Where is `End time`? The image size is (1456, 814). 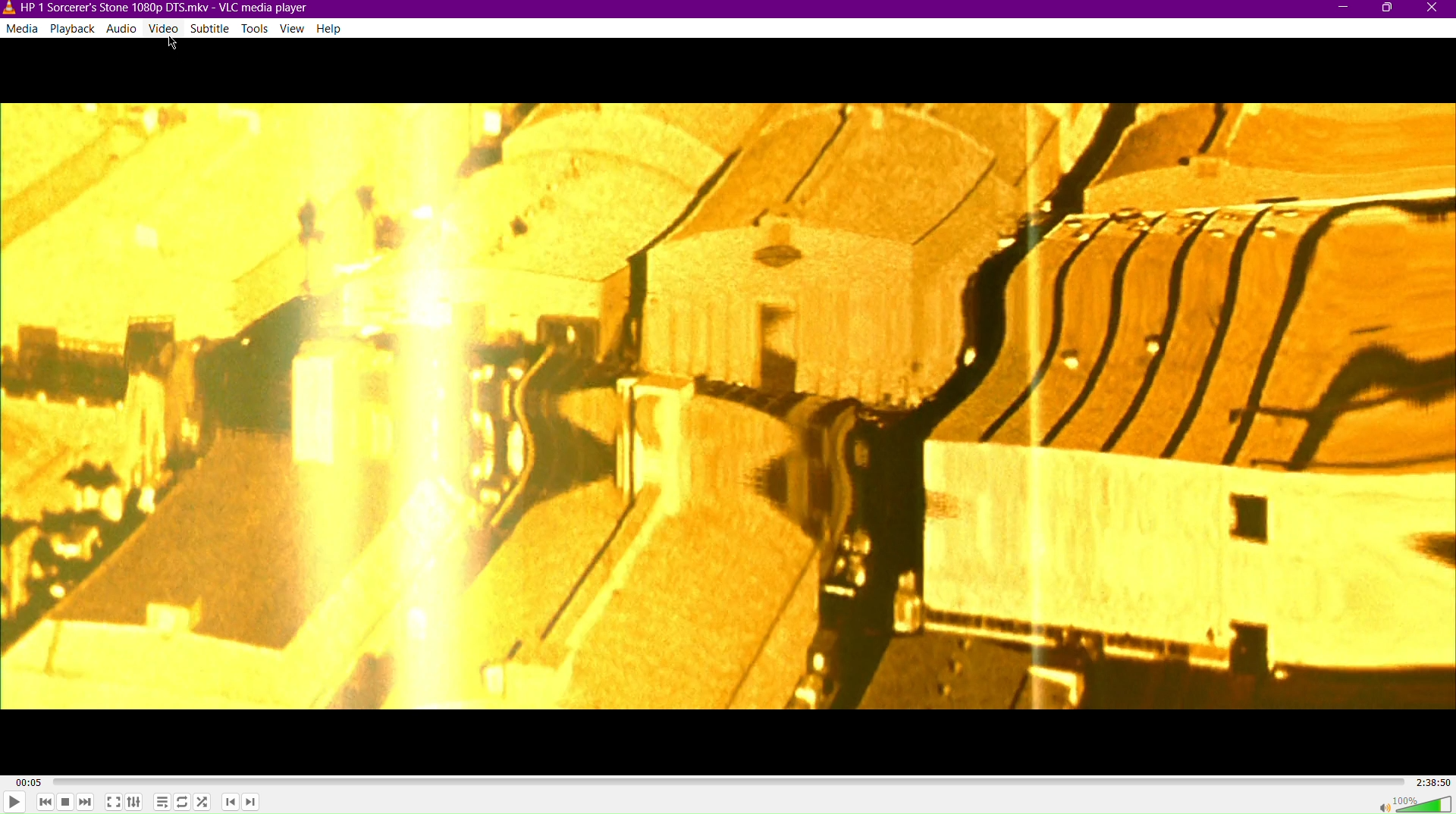
End time is located at coordinates (1430, 784).